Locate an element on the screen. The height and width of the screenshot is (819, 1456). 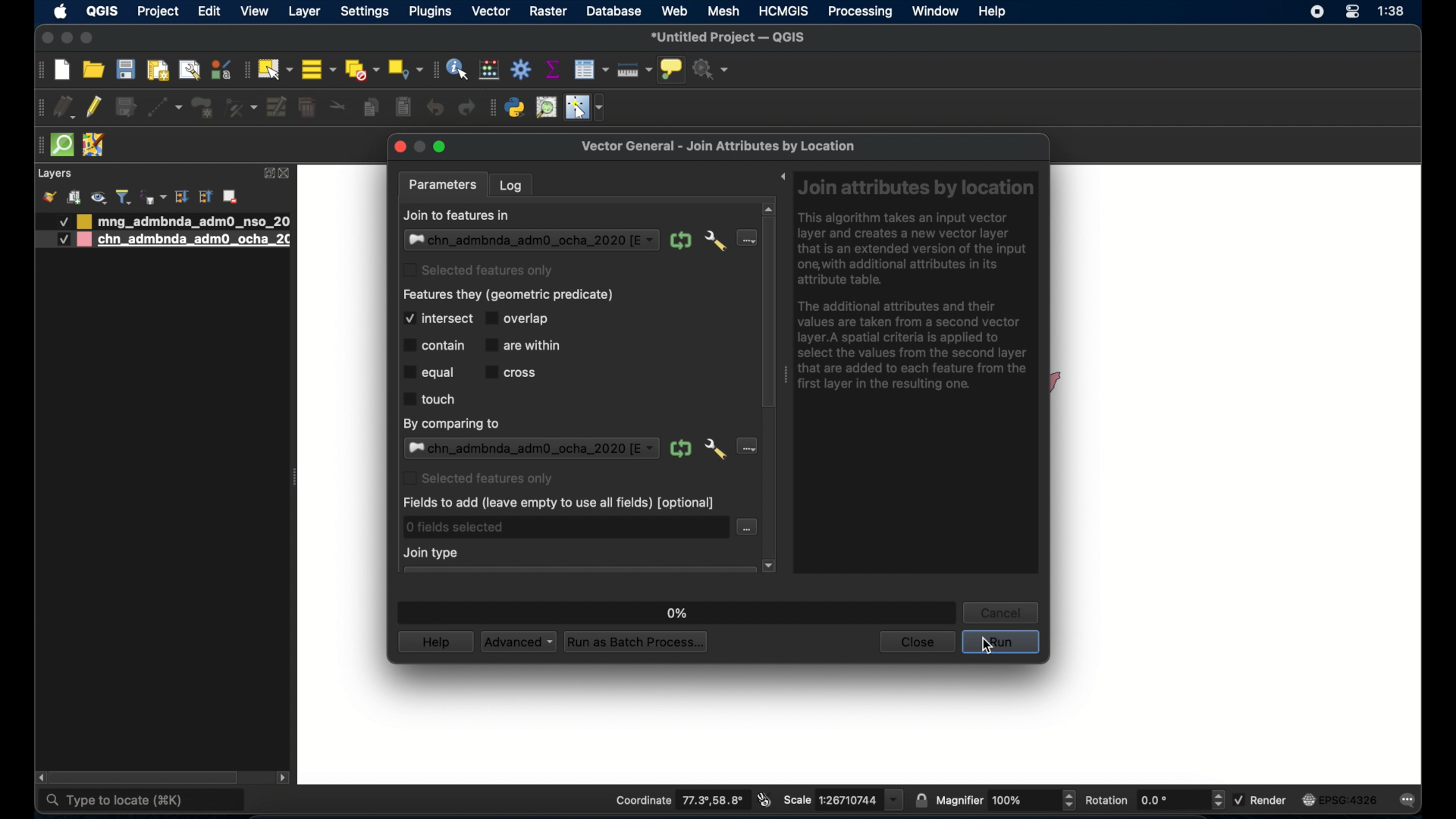
layer 2 is located at coordinates (186, 240).